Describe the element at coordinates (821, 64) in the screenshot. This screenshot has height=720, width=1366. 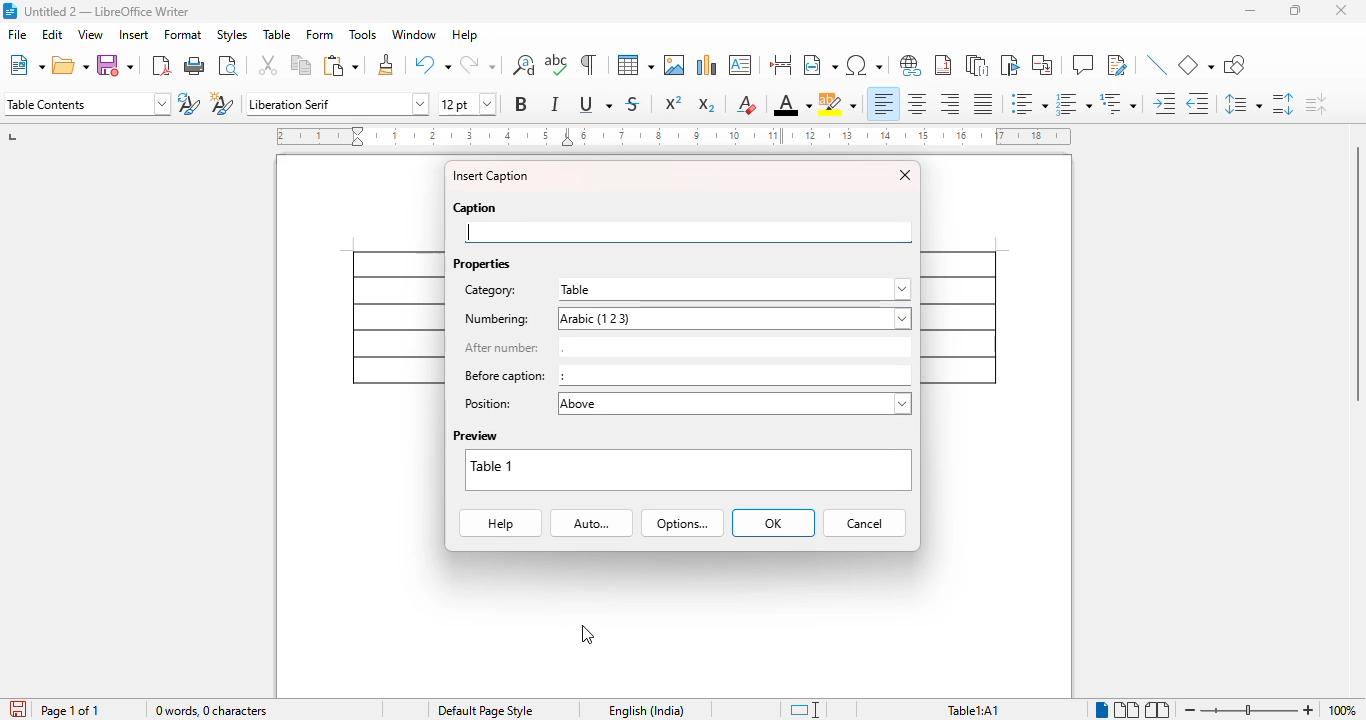
I see `insert field` at that location.